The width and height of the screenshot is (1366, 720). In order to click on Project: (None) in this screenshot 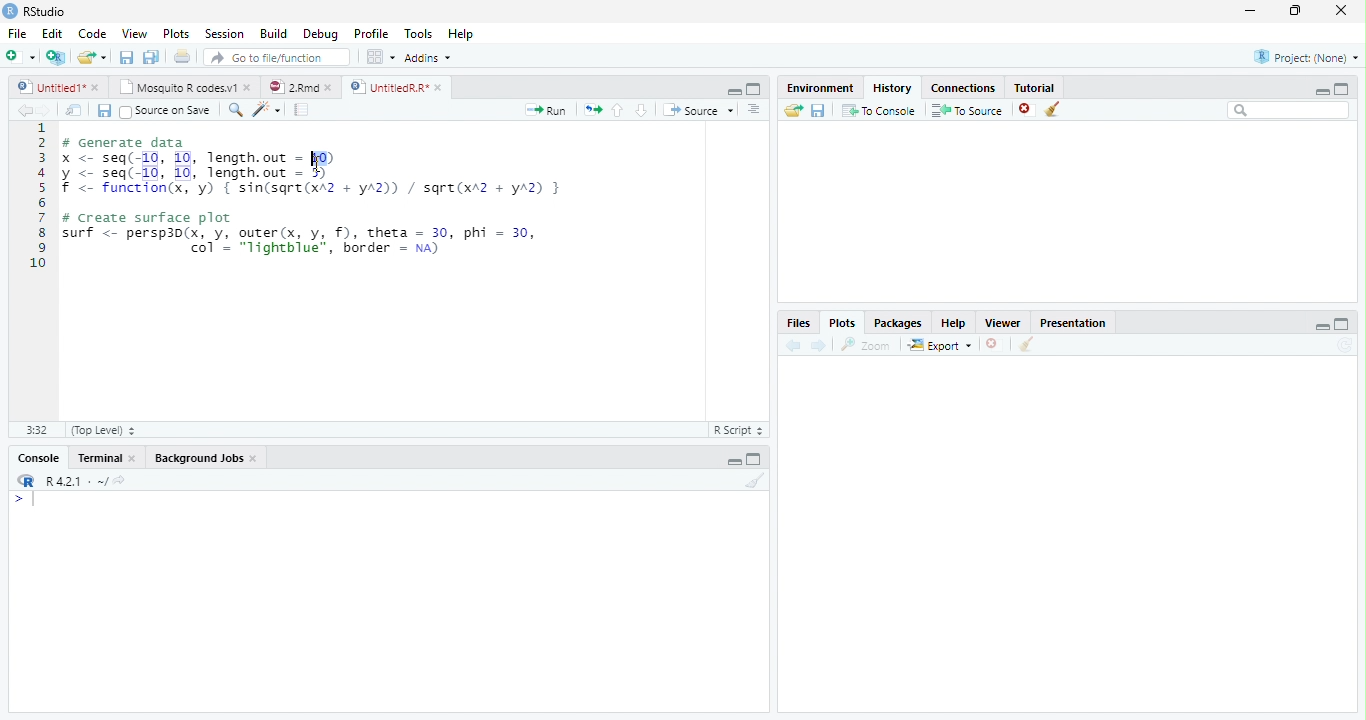, I will do `click(1306, 57)`.